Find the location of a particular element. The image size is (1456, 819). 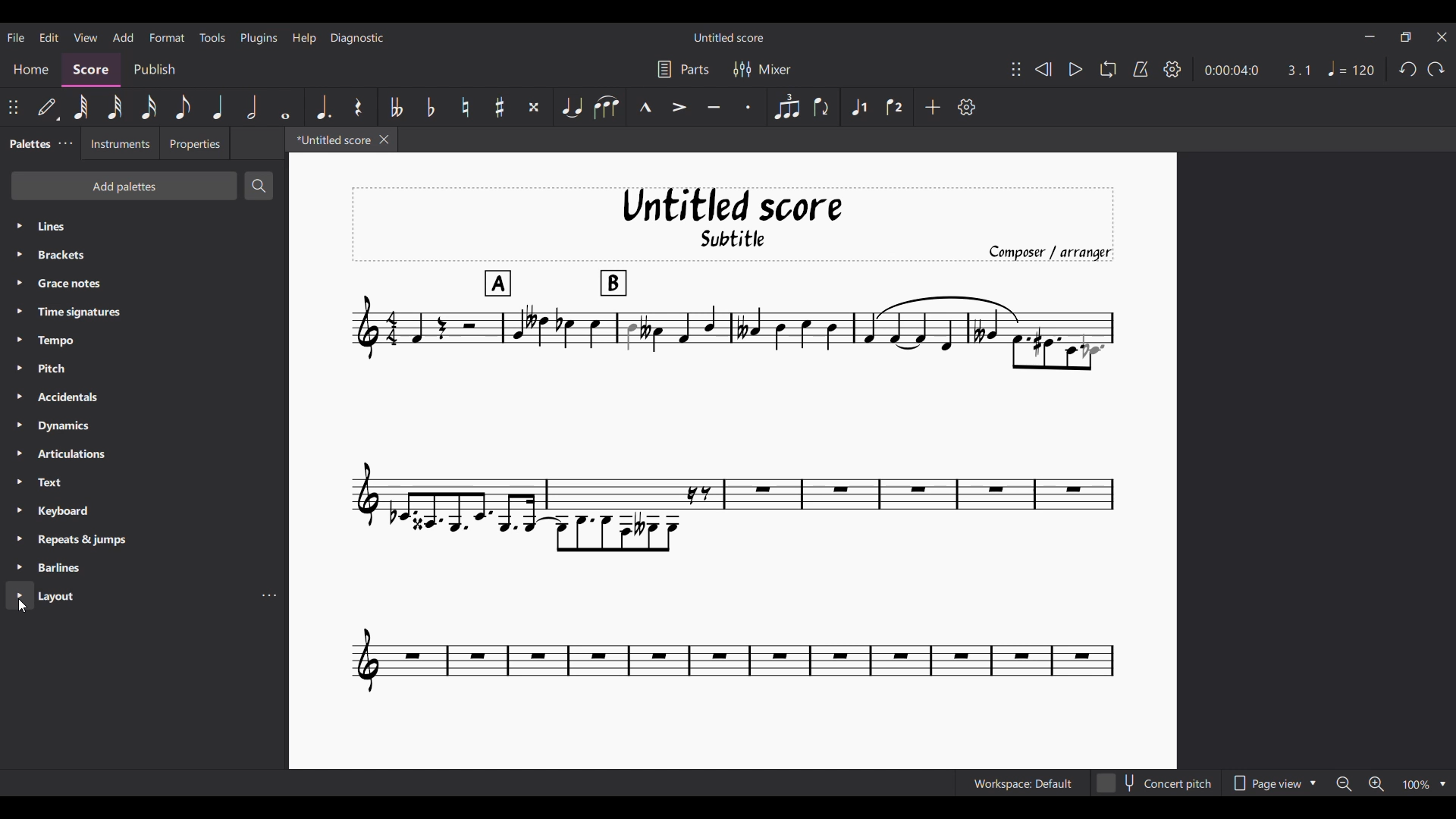

Zoom options is located at coordinates (1425, 783).